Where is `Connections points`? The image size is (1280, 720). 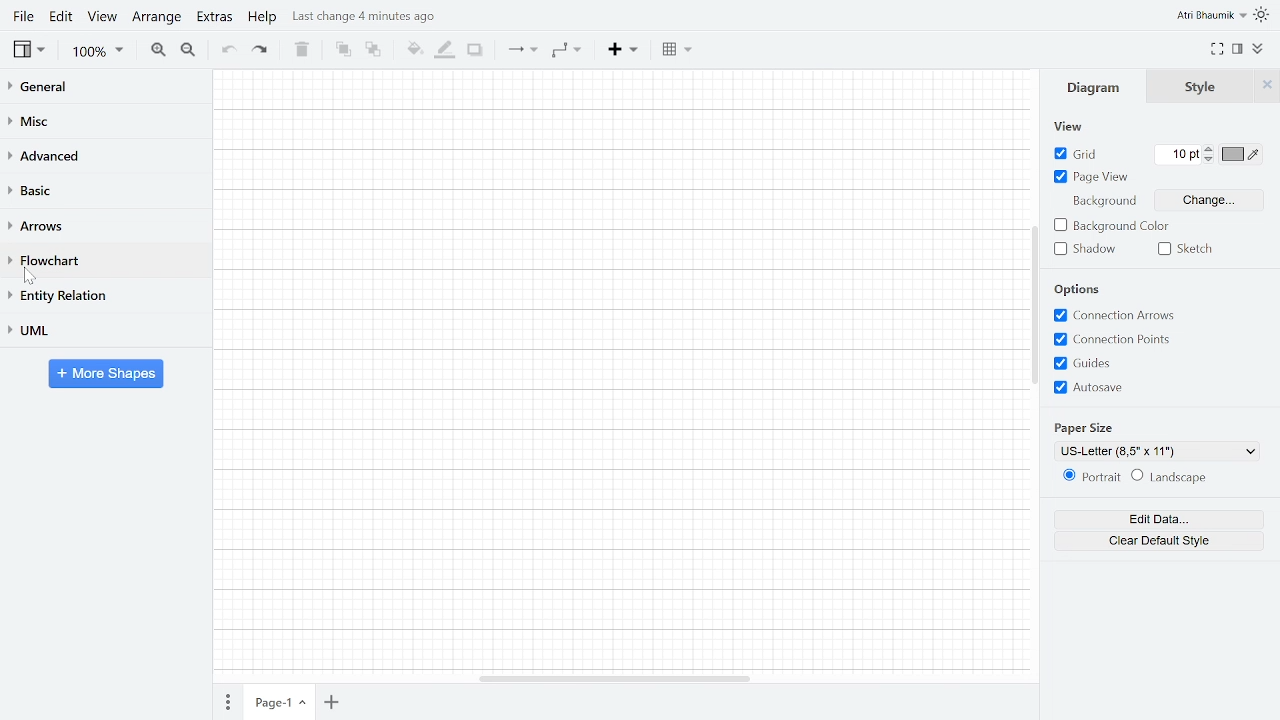 Connections points is located at coordinates (1113, 339).